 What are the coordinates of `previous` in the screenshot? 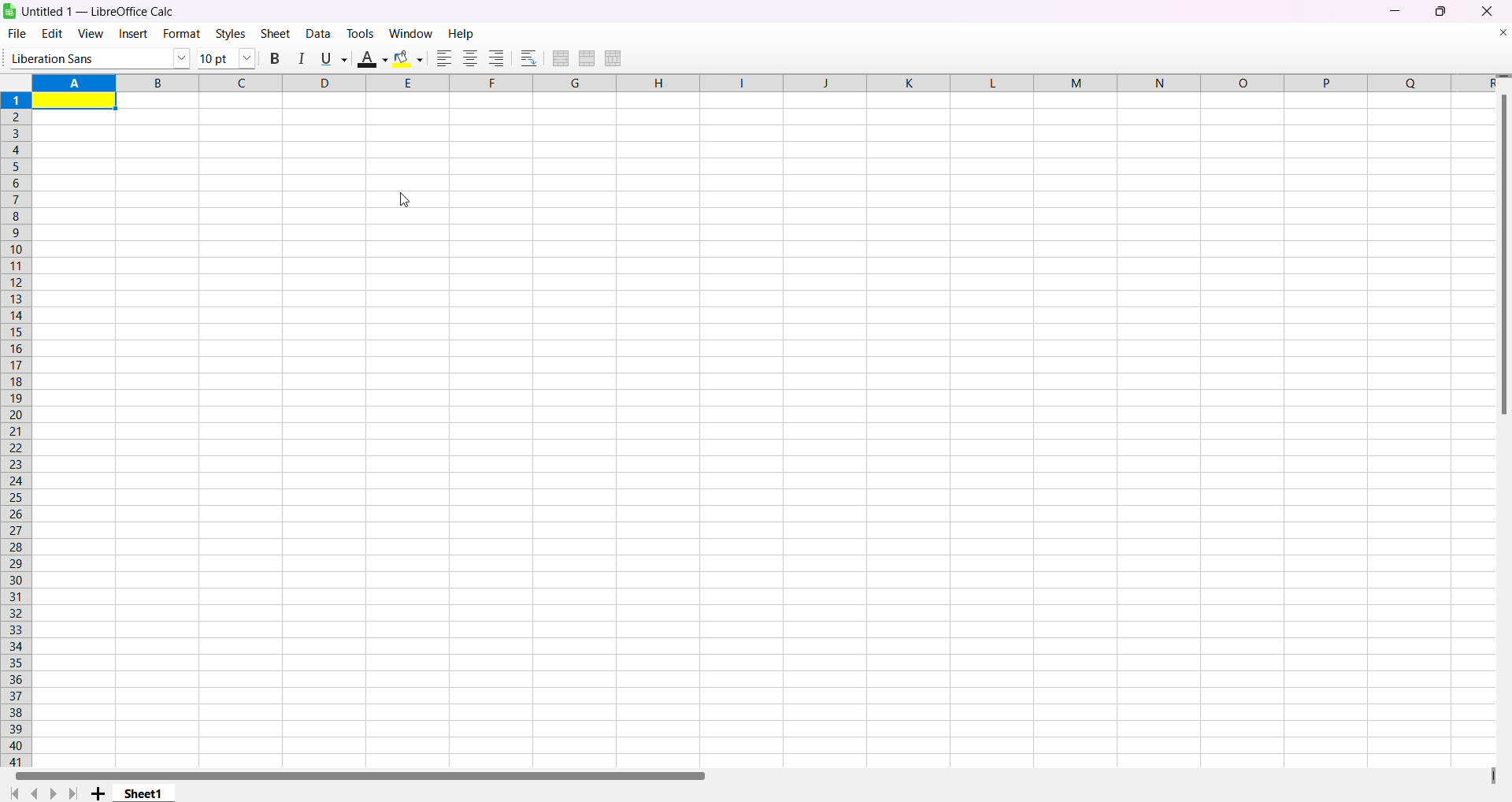 It's located at (39, 792).